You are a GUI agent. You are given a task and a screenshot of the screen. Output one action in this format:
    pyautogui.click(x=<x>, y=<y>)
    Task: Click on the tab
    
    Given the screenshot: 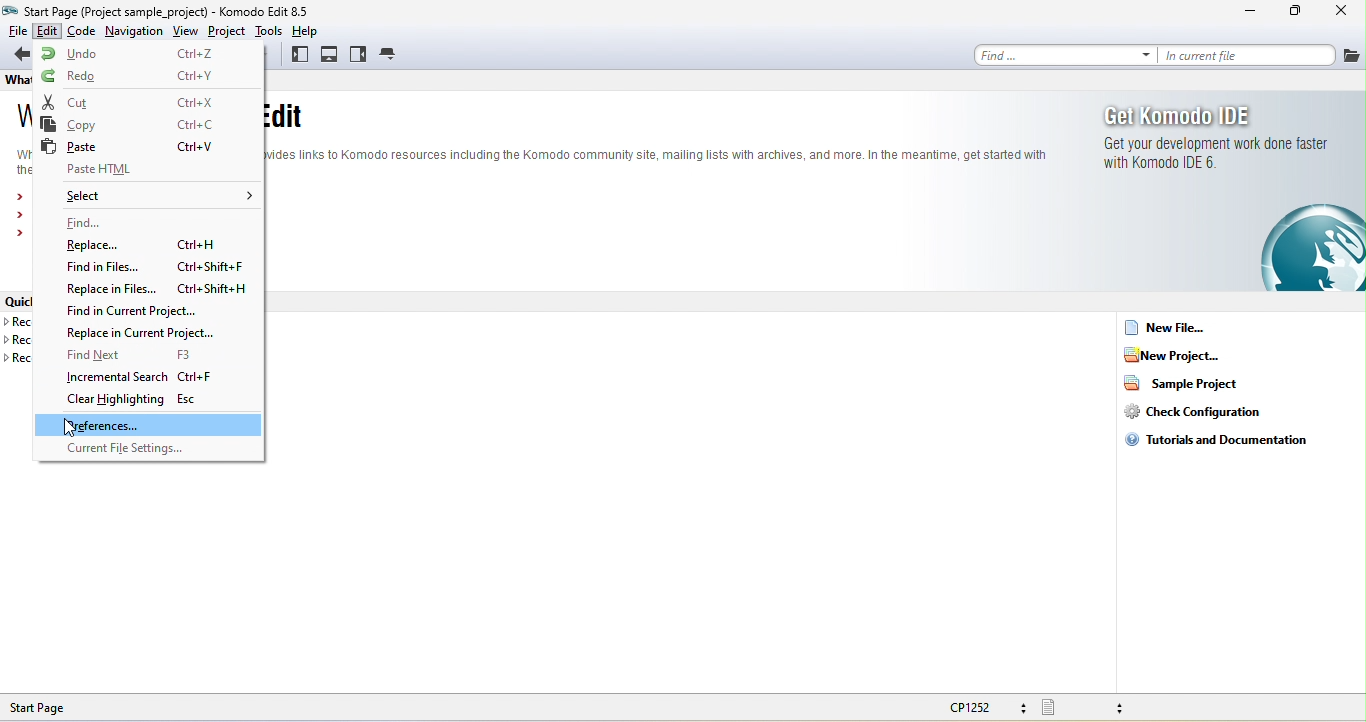 What is the action you would take?
    pyautogui.click(x=391, y=54)
    